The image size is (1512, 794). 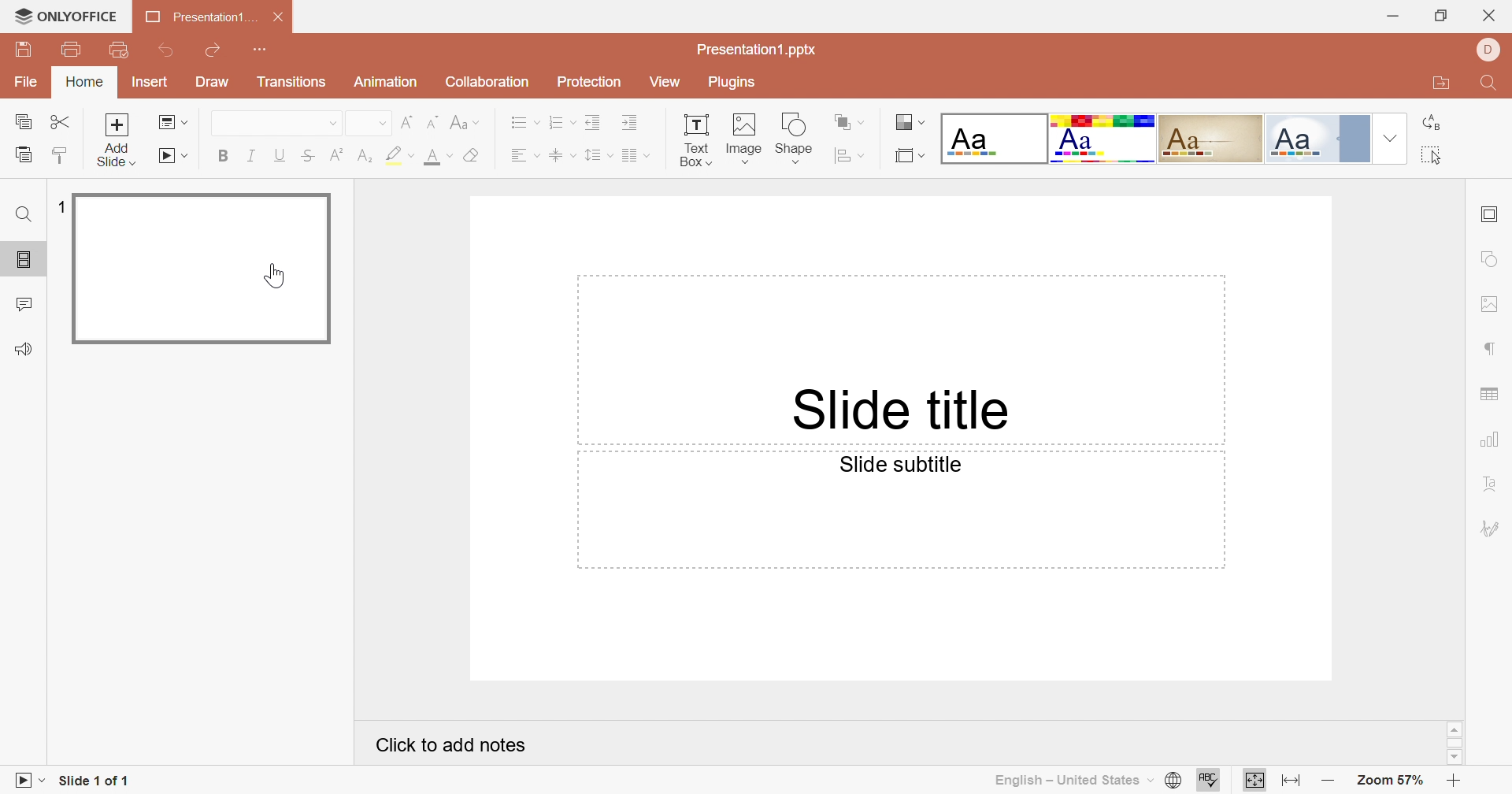 What do you see at coordinates (185, 156) in the screenshot?
I see `Drop Down` at bounding box center [185, 156].